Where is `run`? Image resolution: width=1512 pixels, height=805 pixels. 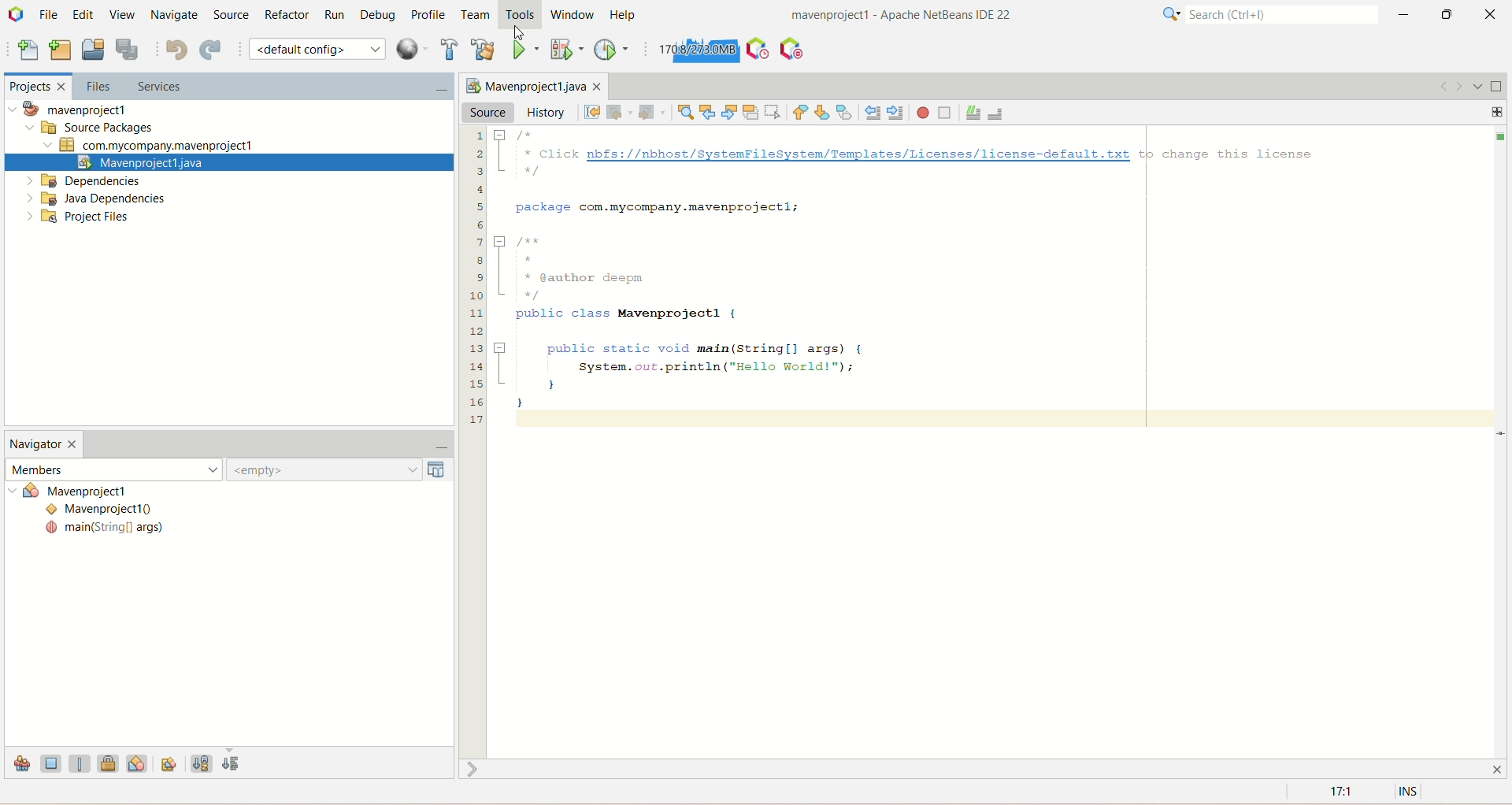 run is located at coordinates (335, 15).